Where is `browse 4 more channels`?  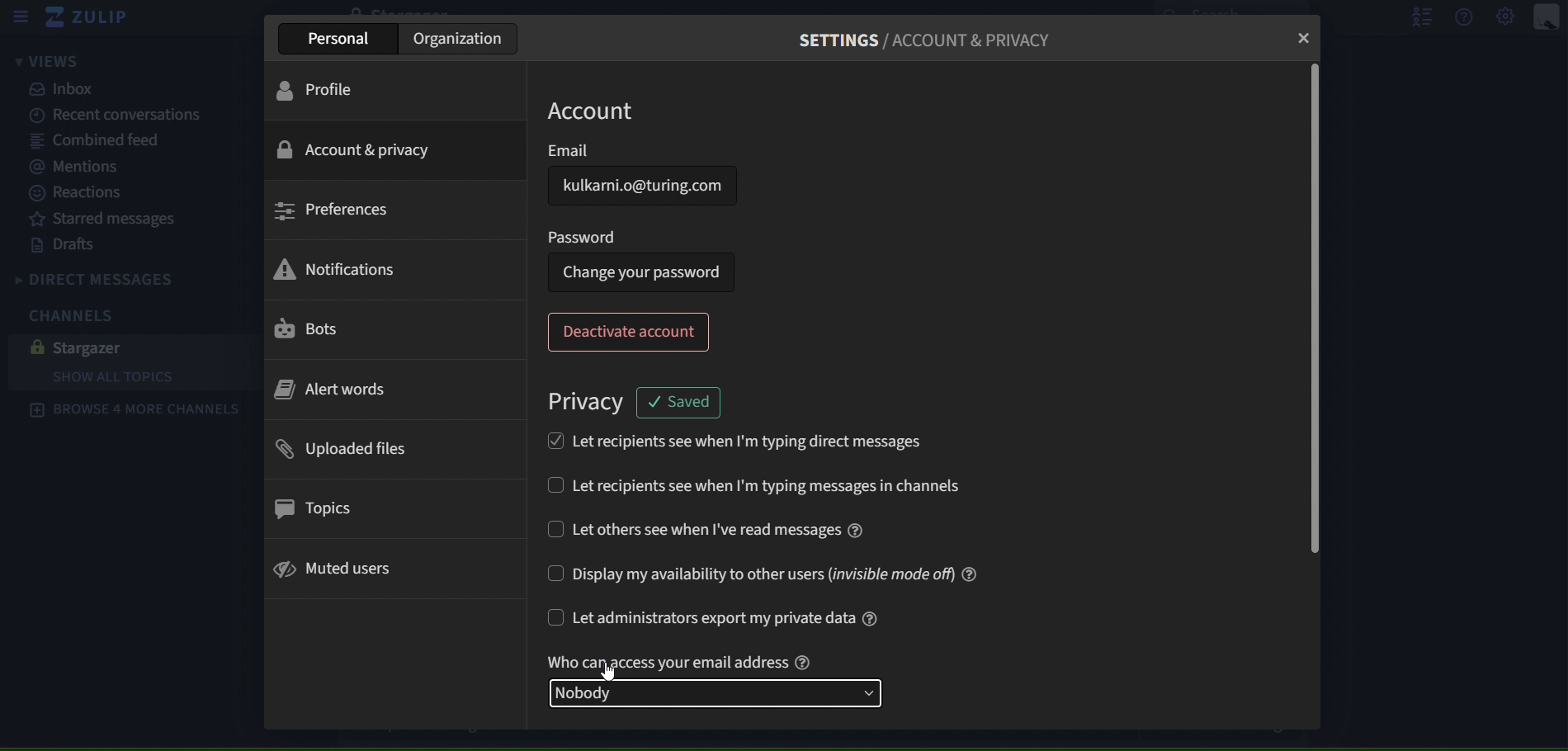
browse 4 more channels is located at coordinates (134, 410).